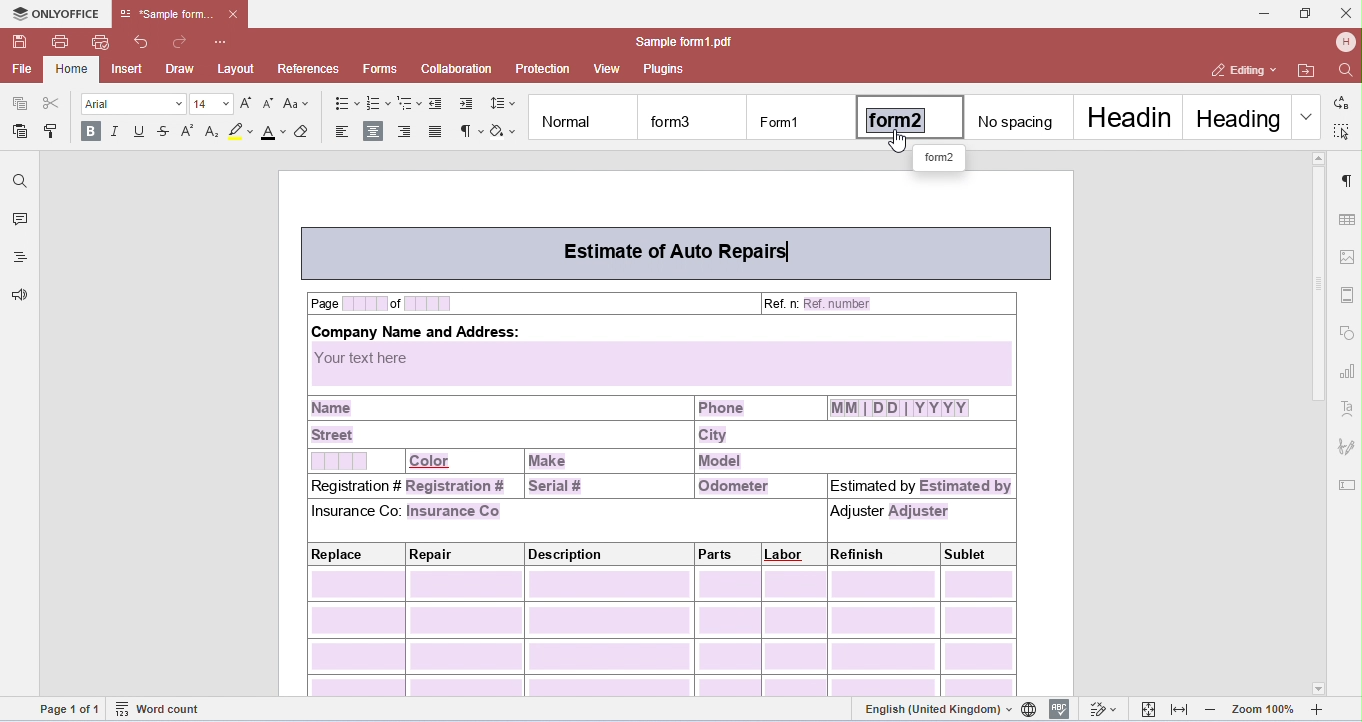 The width and height of the screenshot is (1362, 722). I want to click on cut, so click(51, 103).